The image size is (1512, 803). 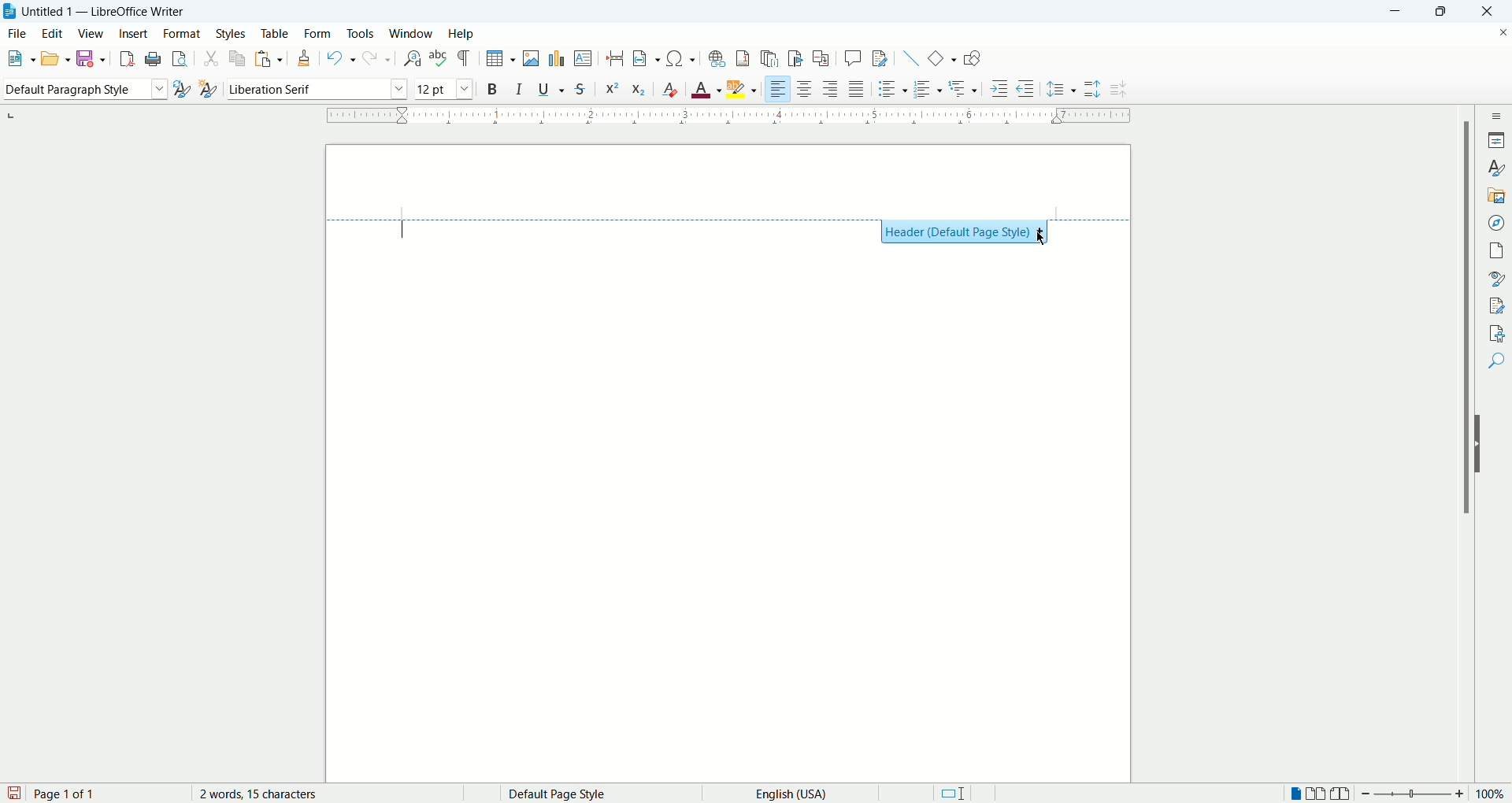 I want to click on decrease paragraph spacing, so click(x=1122, y=89).